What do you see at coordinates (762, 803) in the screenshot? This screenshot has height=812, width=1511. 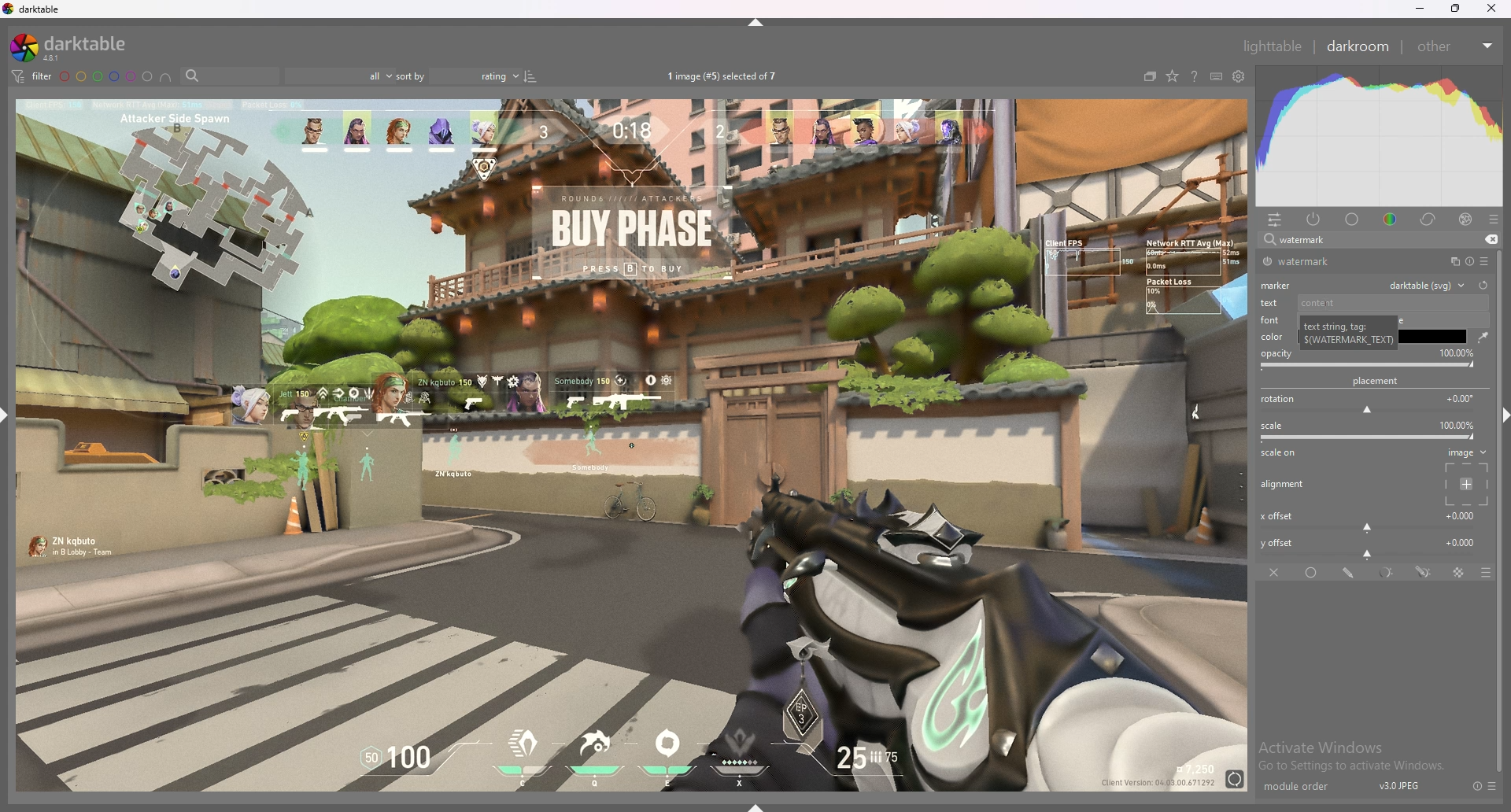 I see `show` at bounding box center [762, 803].